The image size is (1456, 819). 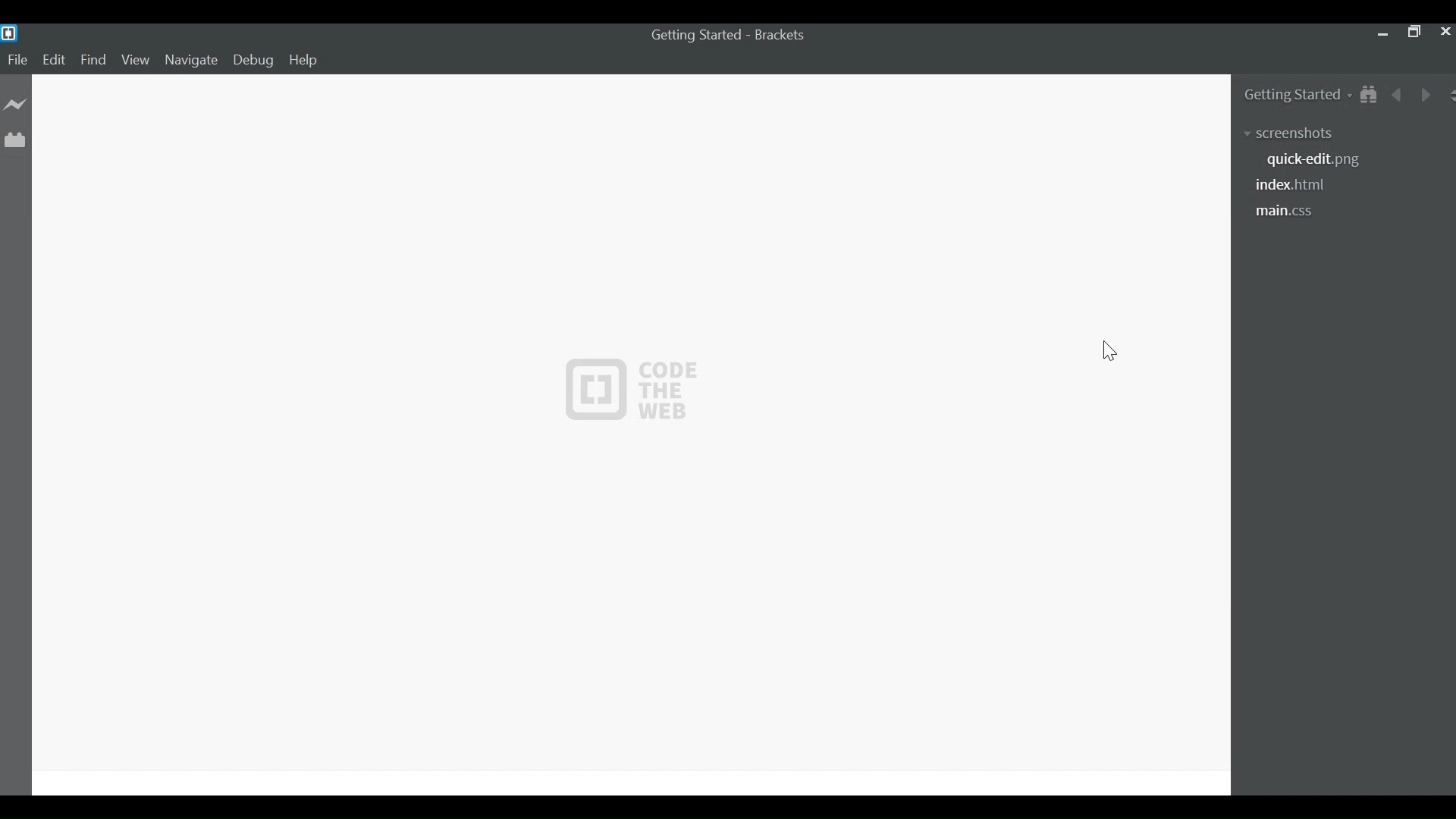 What do you see at coordinates (1414, 33) in the screenshot?
I see `Restore` at bounding box center [1414, 33].